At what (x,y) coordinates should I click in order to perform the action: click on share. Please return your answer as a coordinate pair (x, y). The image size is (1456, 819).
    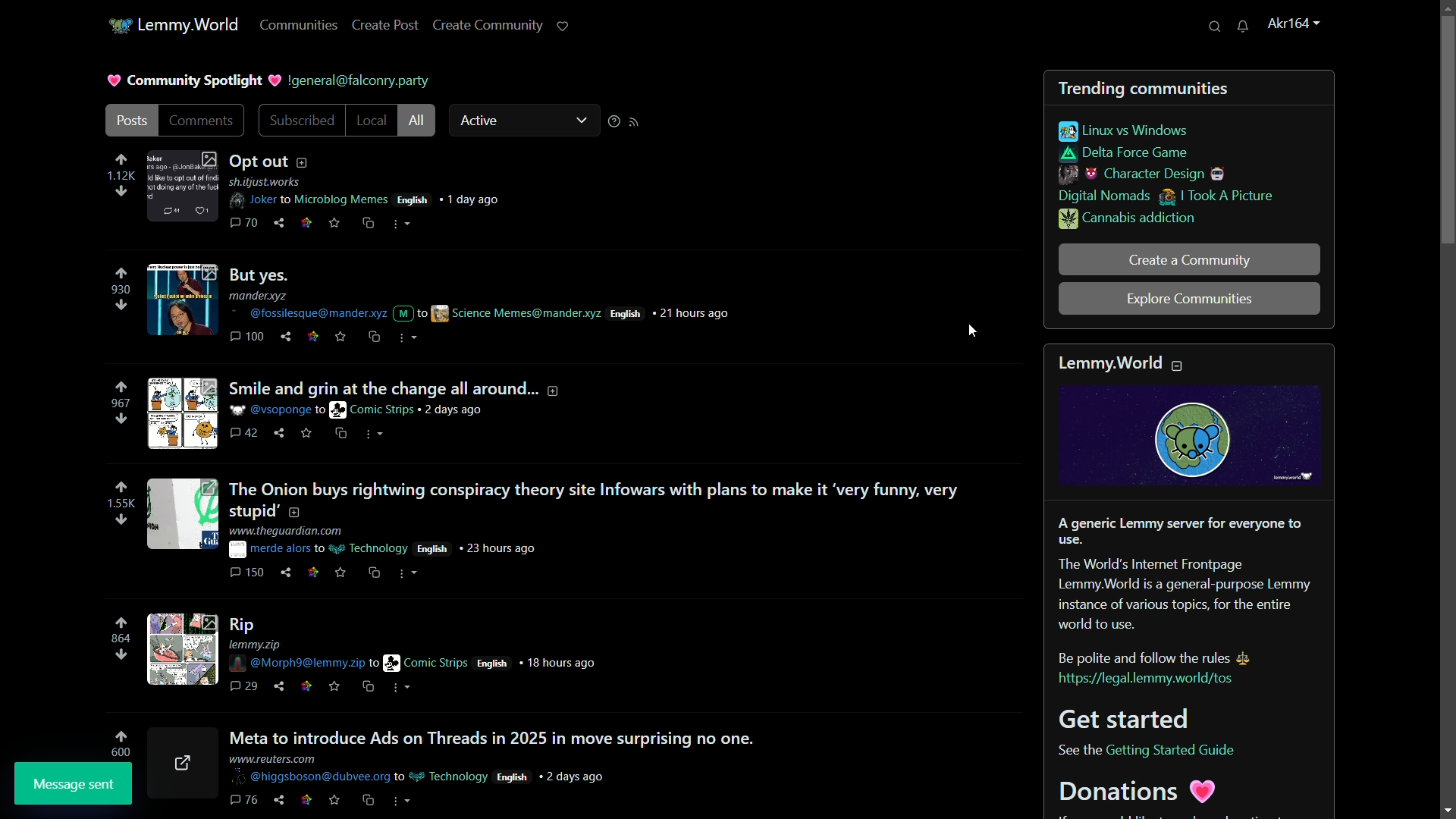
    Looking at the image, I should click on (284, 571).